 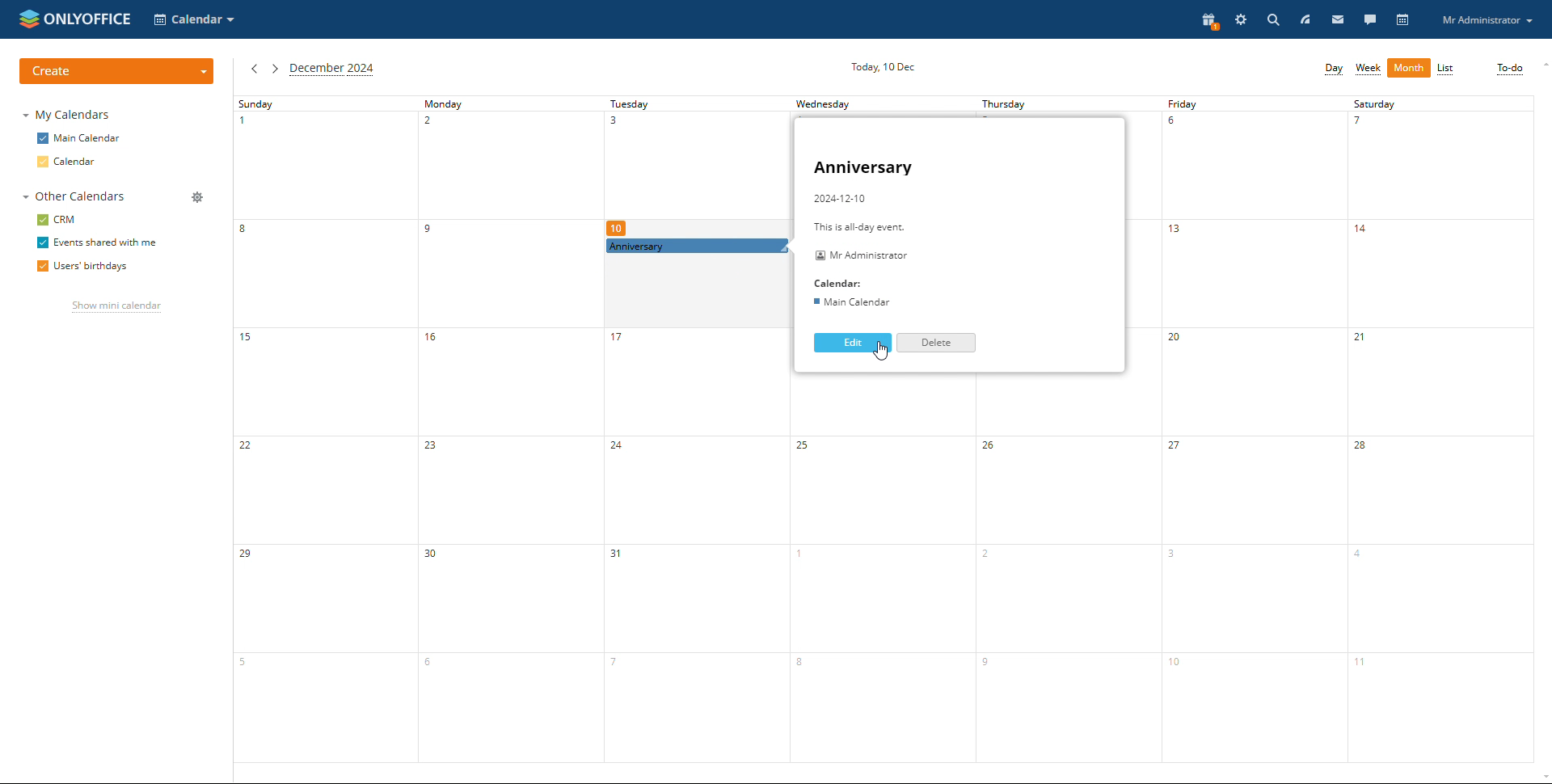 What do you see at coordinates (866, 103) in the screenshot?
I see `wednesday` at bounding box center [866, 103].